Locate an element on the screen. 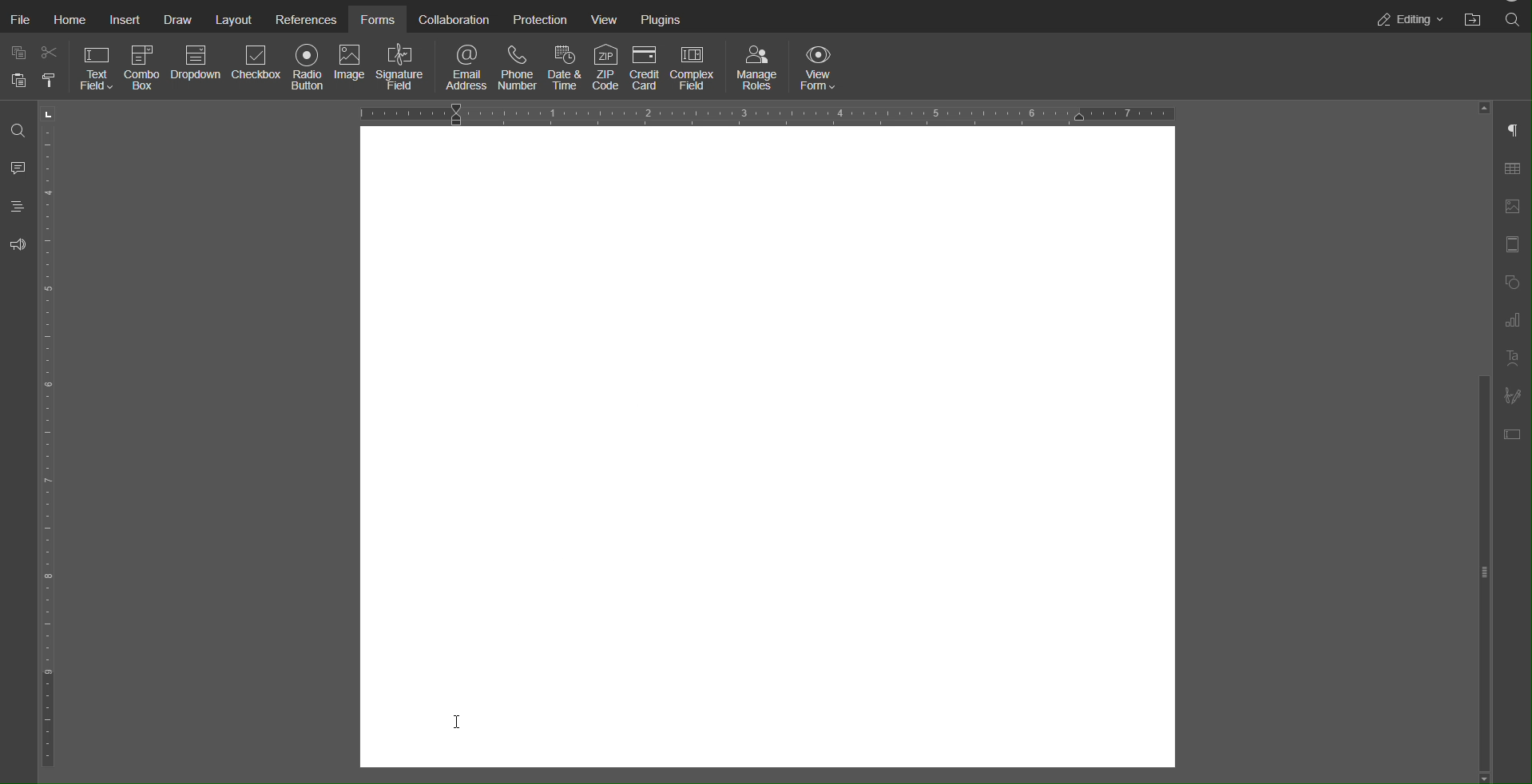 This screenshot has height=784, width=1532. paste is located at coordinates (17, 85).